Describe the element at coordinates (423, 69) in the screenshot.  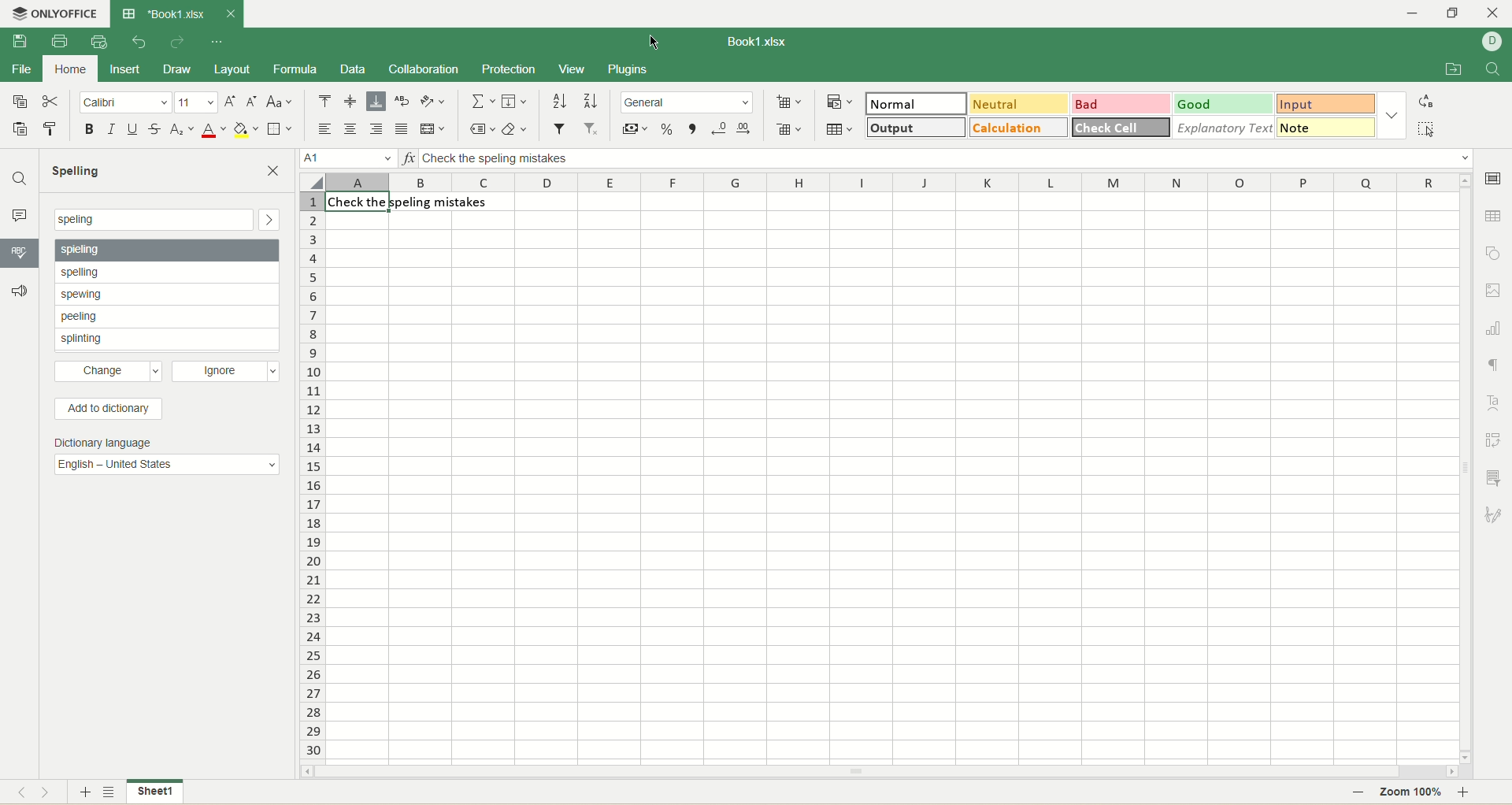
I see `collaboration` at that location.